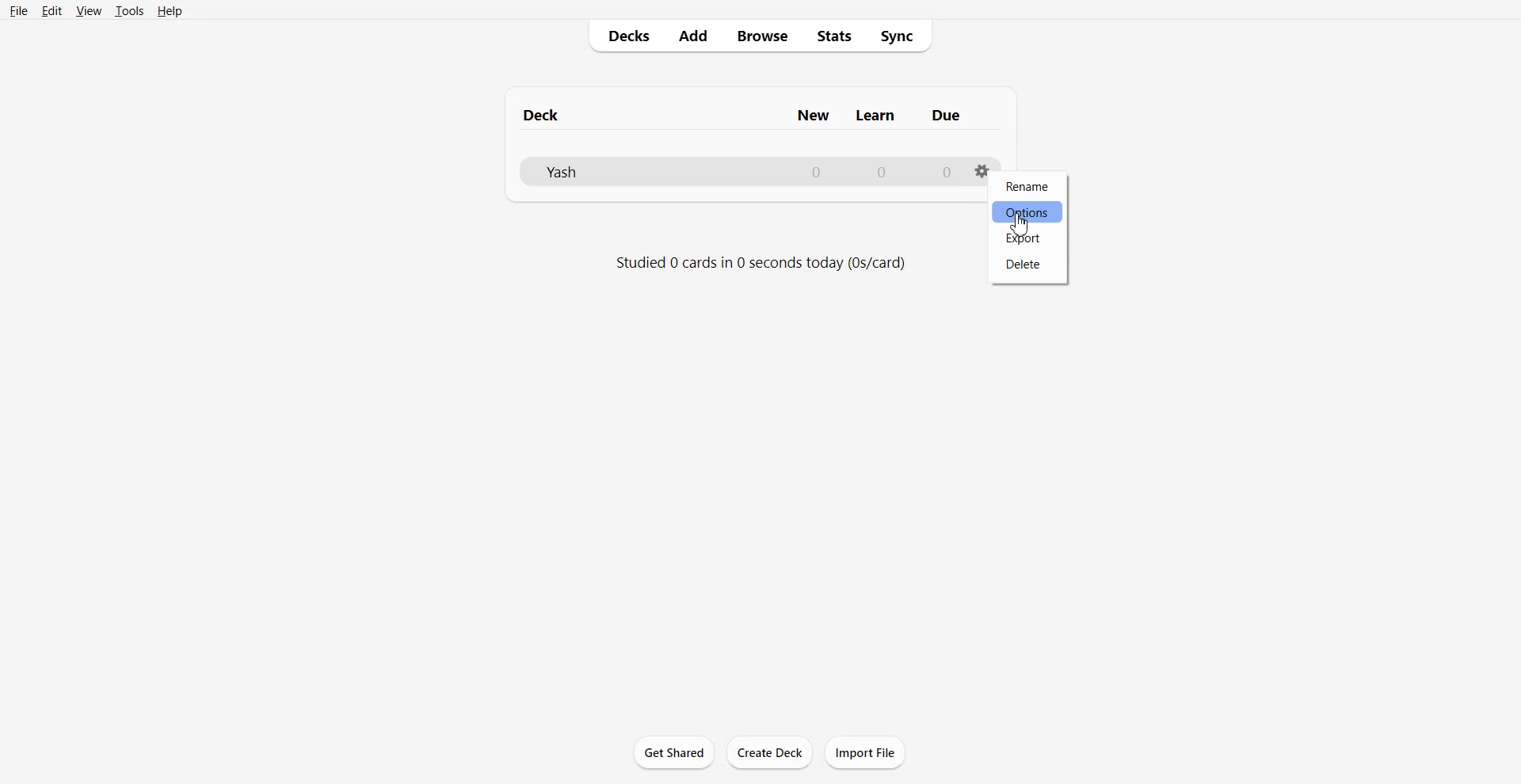 The width and height of the screenshot is (1521, 784). I want to click on File, so click(19, 10).